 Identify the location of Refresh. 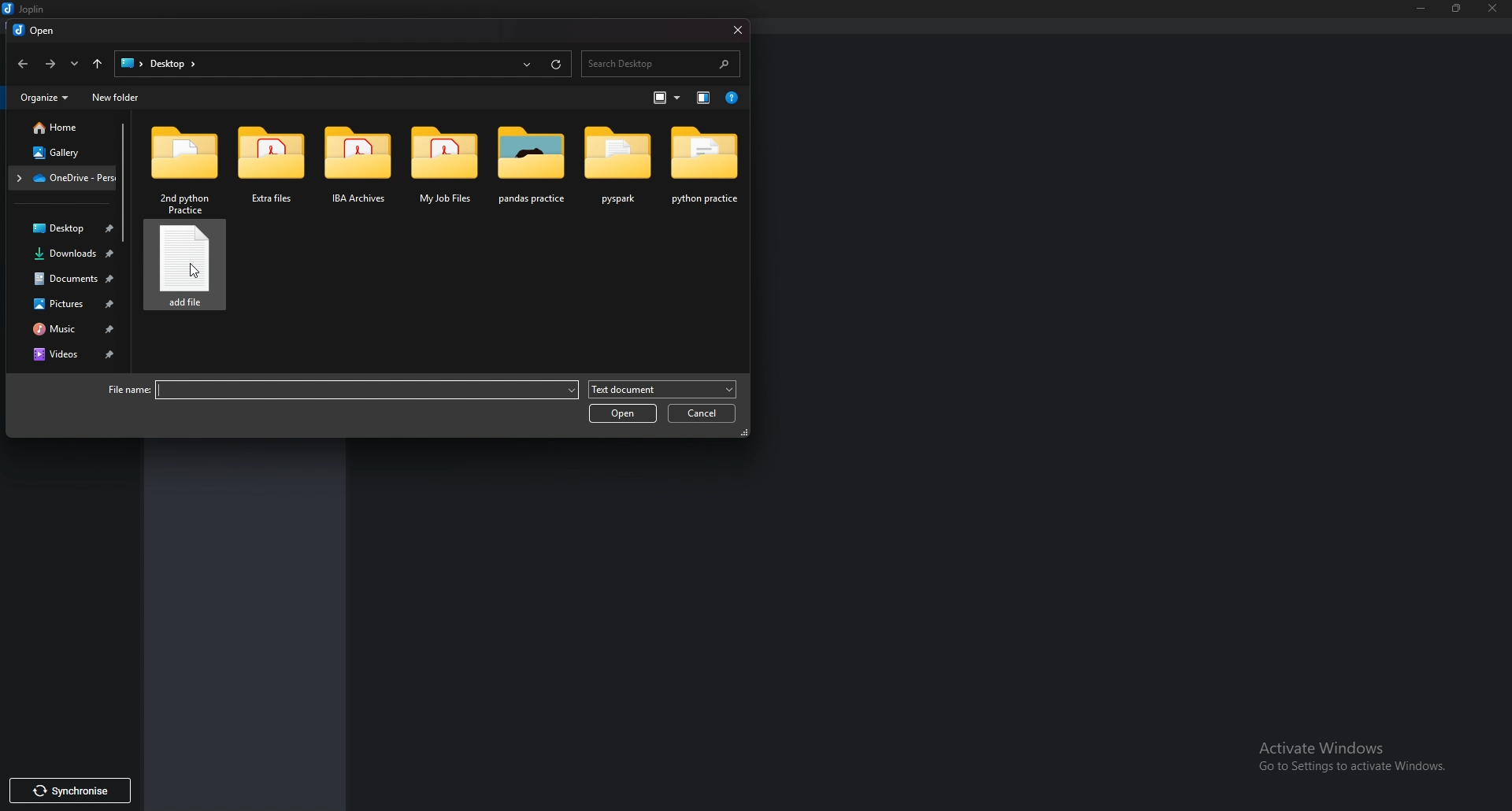
(557, 63).